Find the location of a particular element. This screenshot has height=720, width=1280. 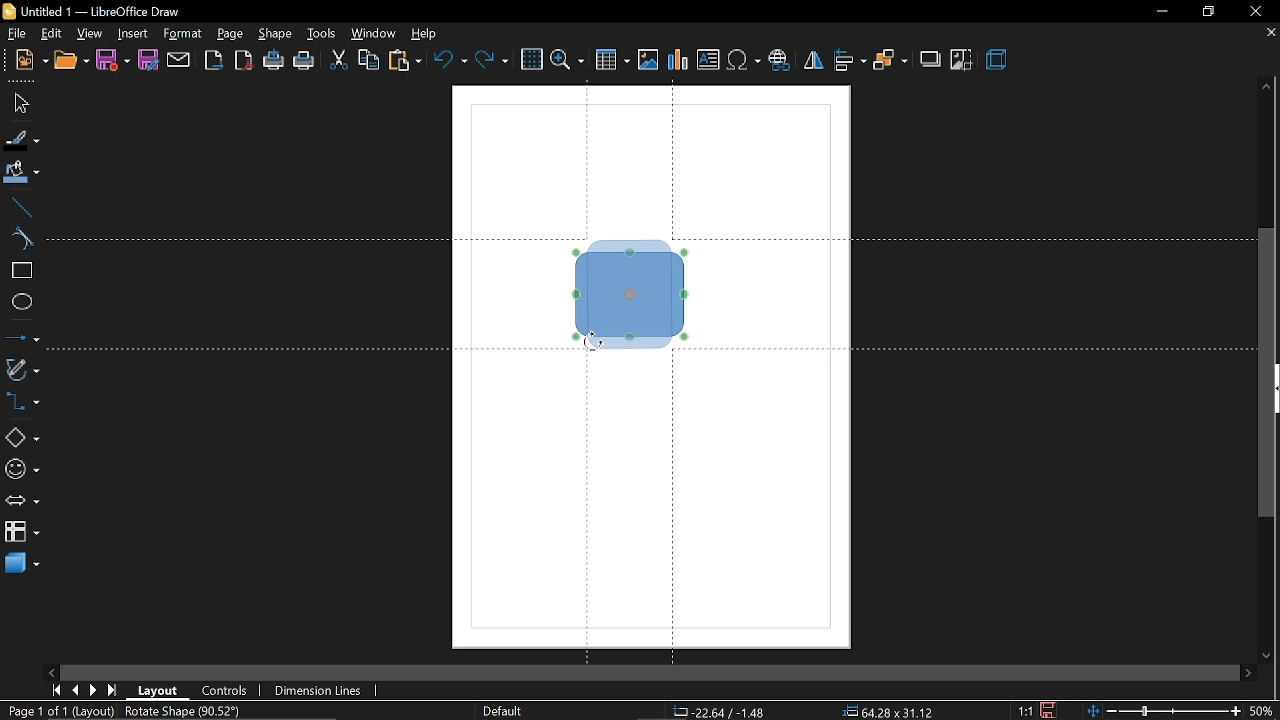

close tab is located at coordinates (1269, 34).